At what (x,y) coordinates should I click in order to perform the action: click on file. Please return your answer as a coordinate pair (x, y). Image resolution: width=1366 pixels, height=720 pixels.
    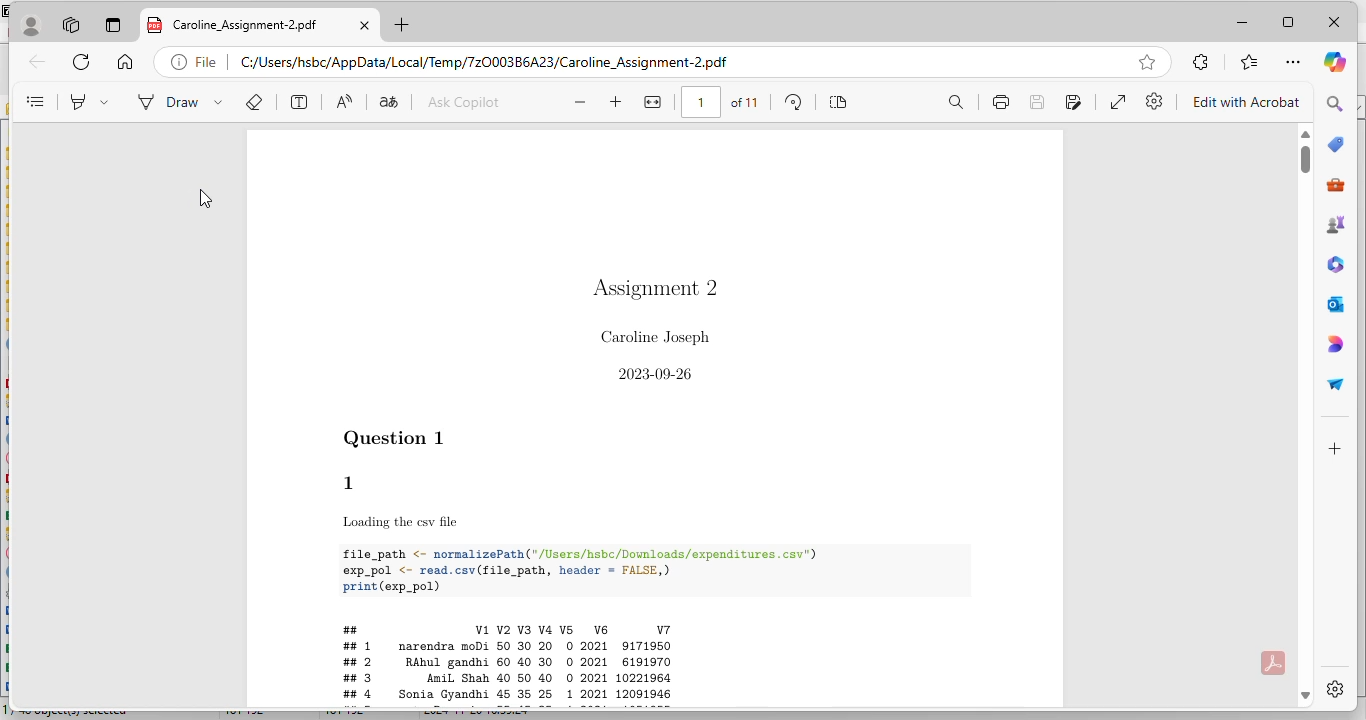
    Looking at the image, I should click on (233, 24).